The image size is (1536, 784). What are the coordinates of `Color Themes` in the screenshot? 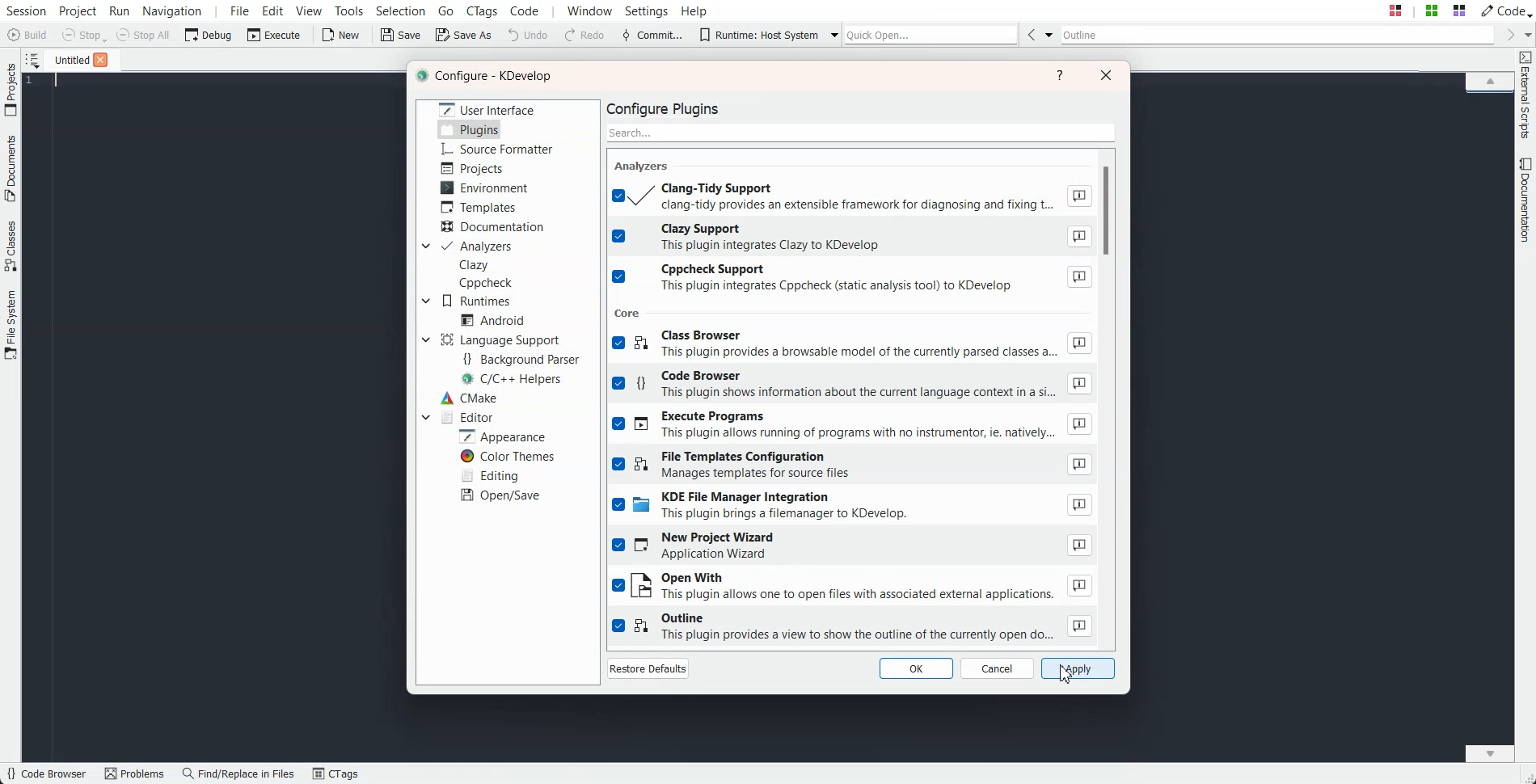 It's located at (506, 457).